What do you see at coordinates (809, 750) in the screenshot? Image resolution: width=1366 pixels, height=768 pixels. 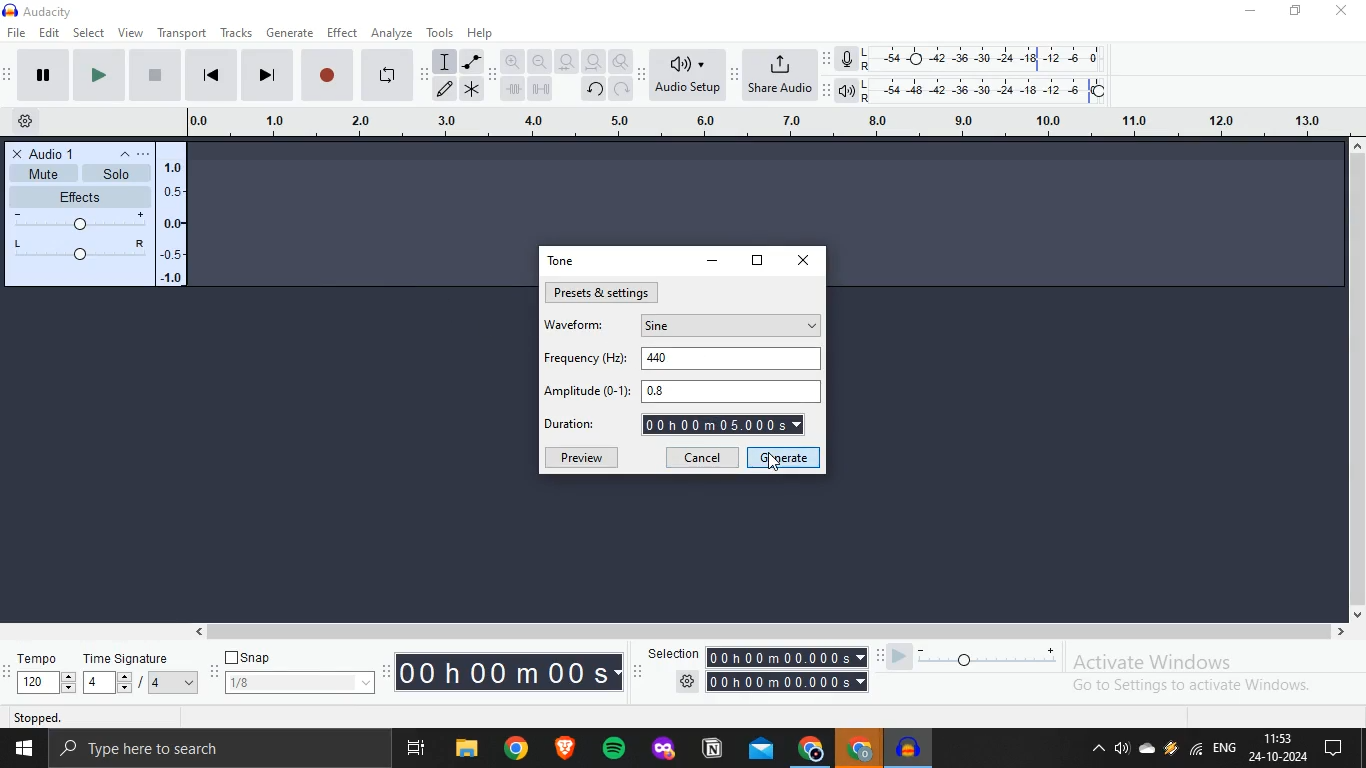 I see `Chrome` at bounding box center [809, 750].